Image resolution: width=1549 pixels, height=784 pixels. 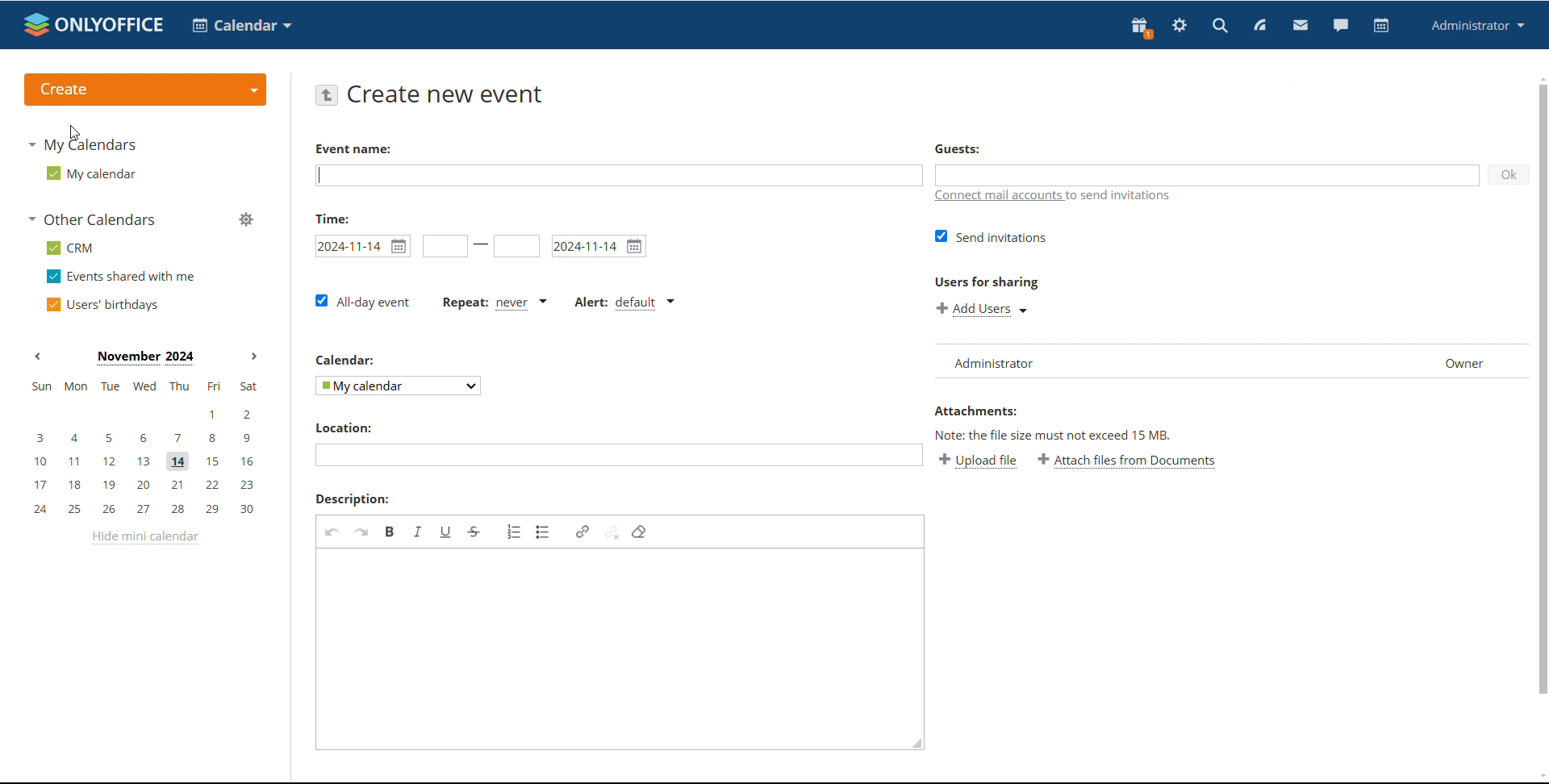 I want to click on Attachments, so click(x=975, y=411).